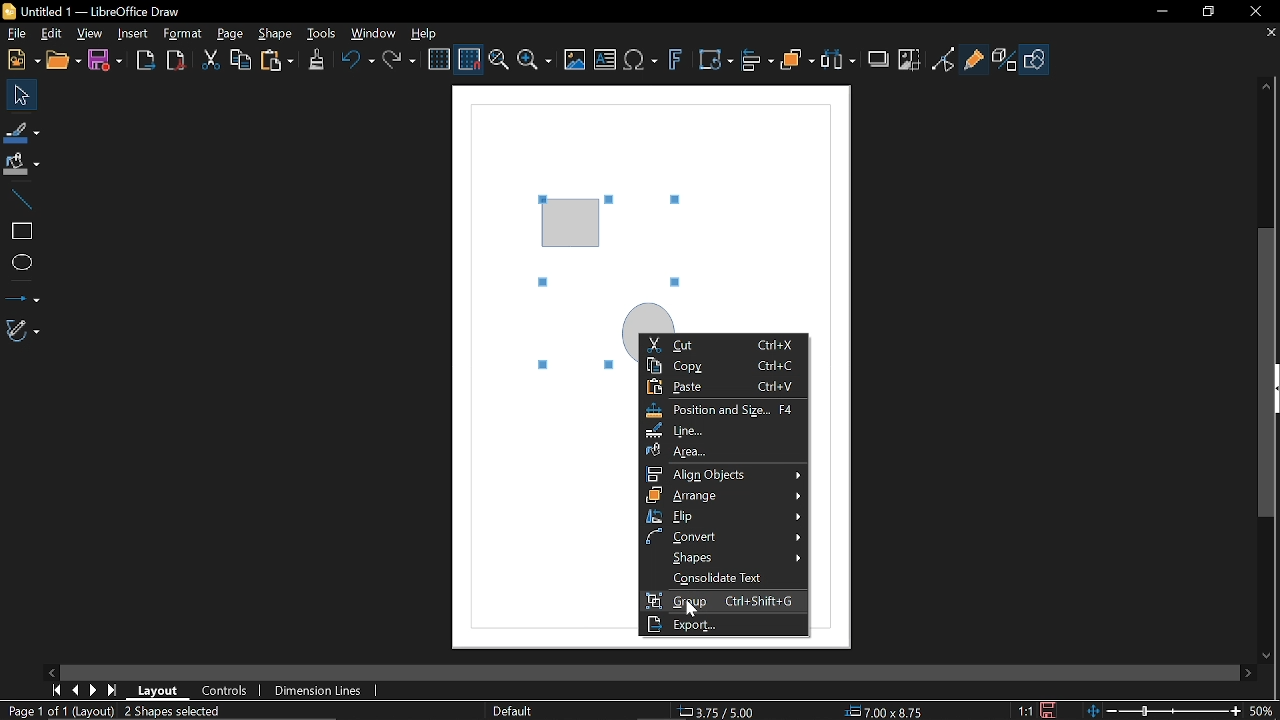 This screenshot has height=720, width=1280. What do you see at coordinates (714, 623) in the screenshot?
I see `Export` at bounding box center [714, 623].